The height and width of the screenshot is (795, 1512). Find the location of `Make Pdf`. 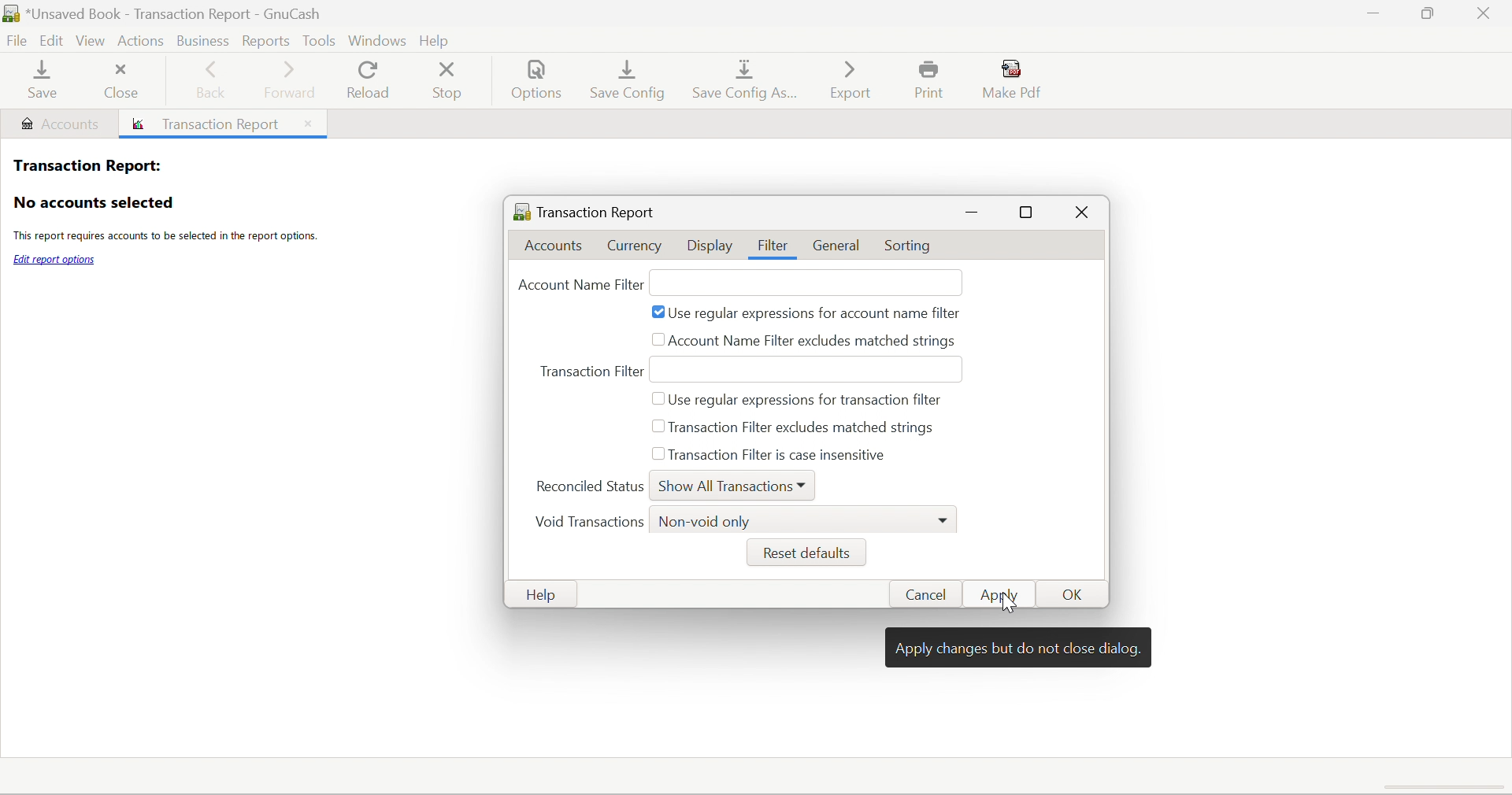

Make Pdf is located at coordinates (1017, 79).